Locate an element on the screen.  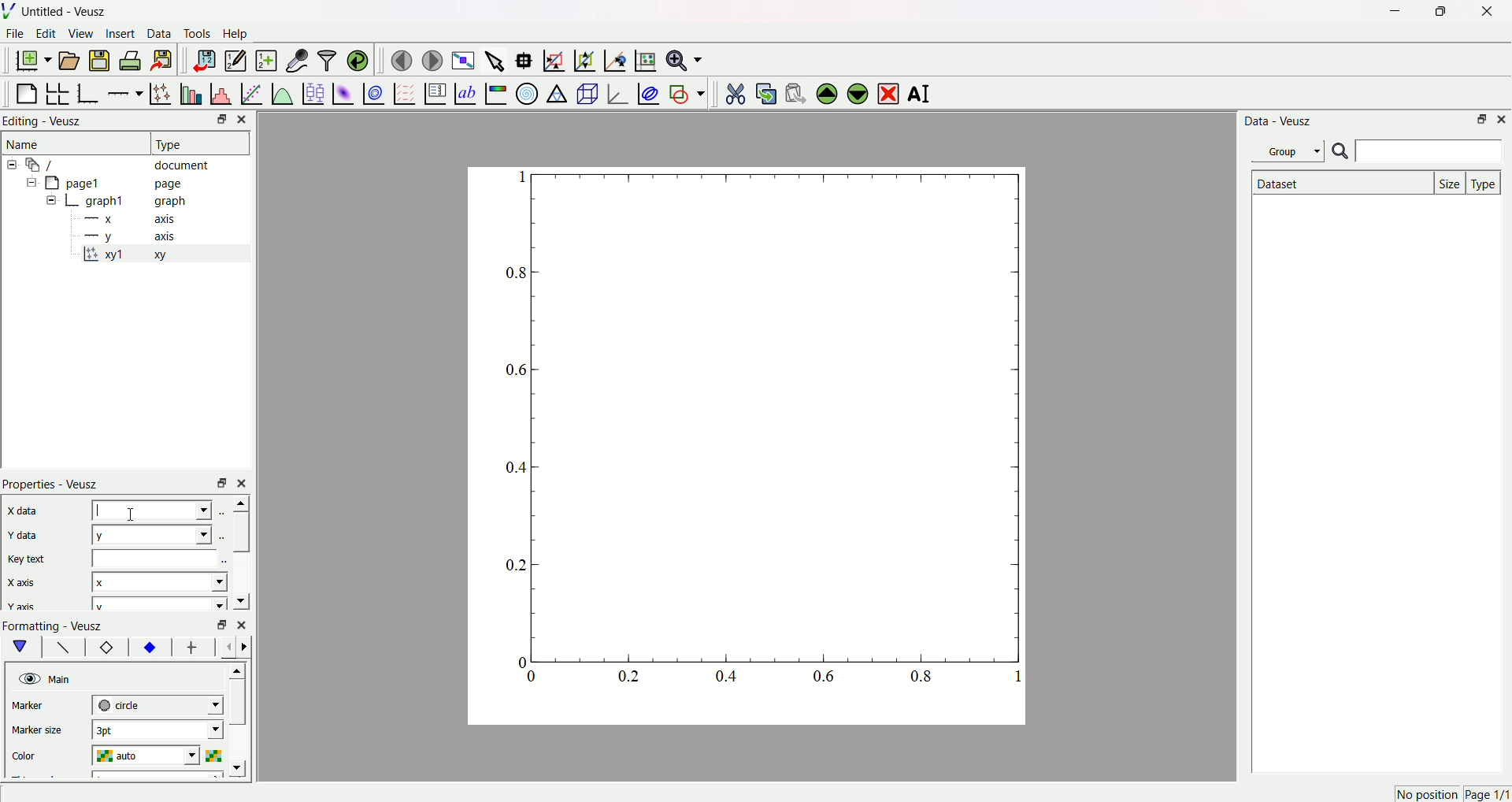
Maximize is located at coordinates (1437, 12).